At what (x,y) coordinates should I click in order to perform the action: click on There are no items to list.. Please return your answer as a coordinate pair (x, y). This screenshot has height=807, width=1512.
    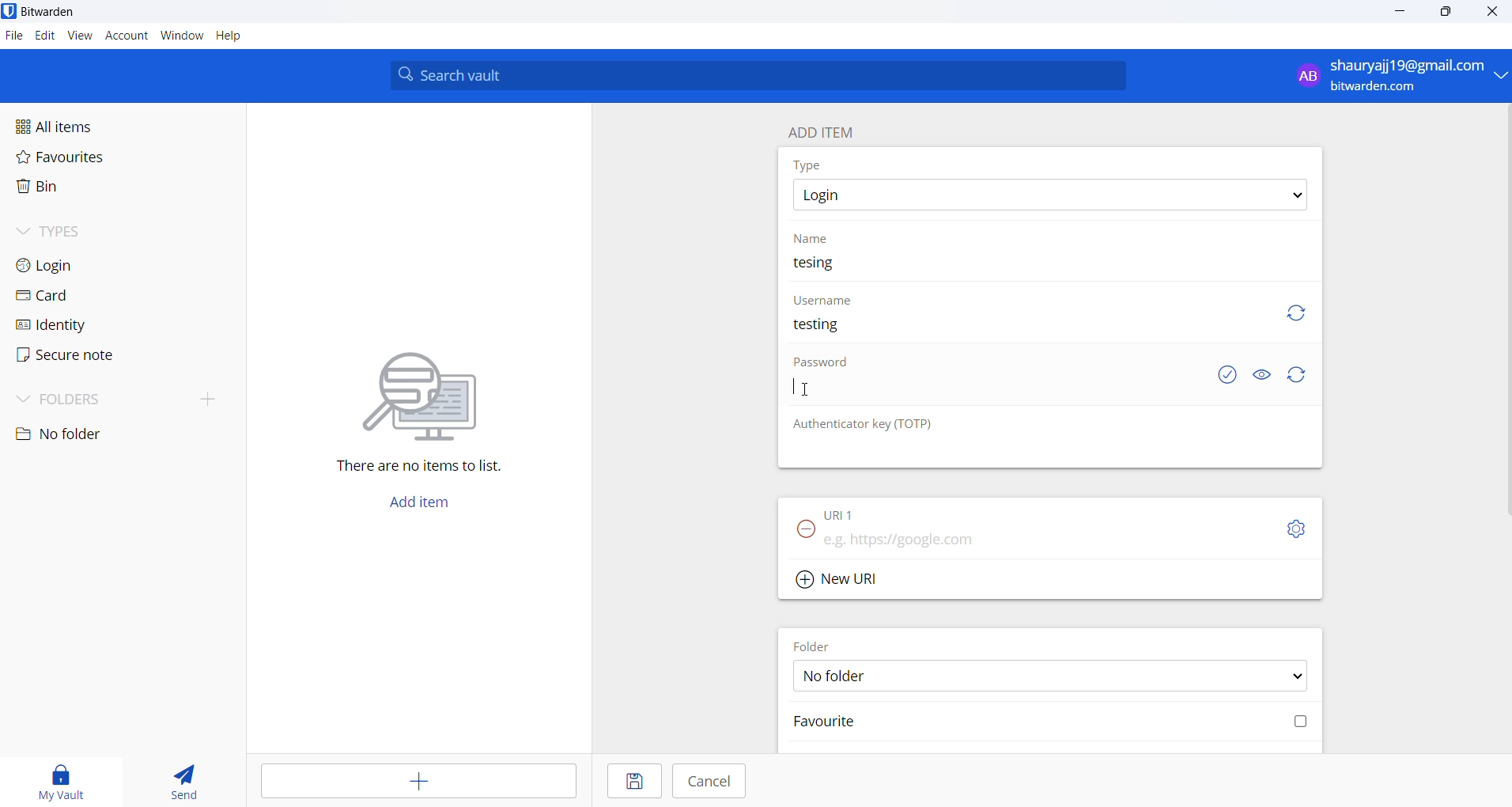
    Looking at the image, I should click on (427, 468).